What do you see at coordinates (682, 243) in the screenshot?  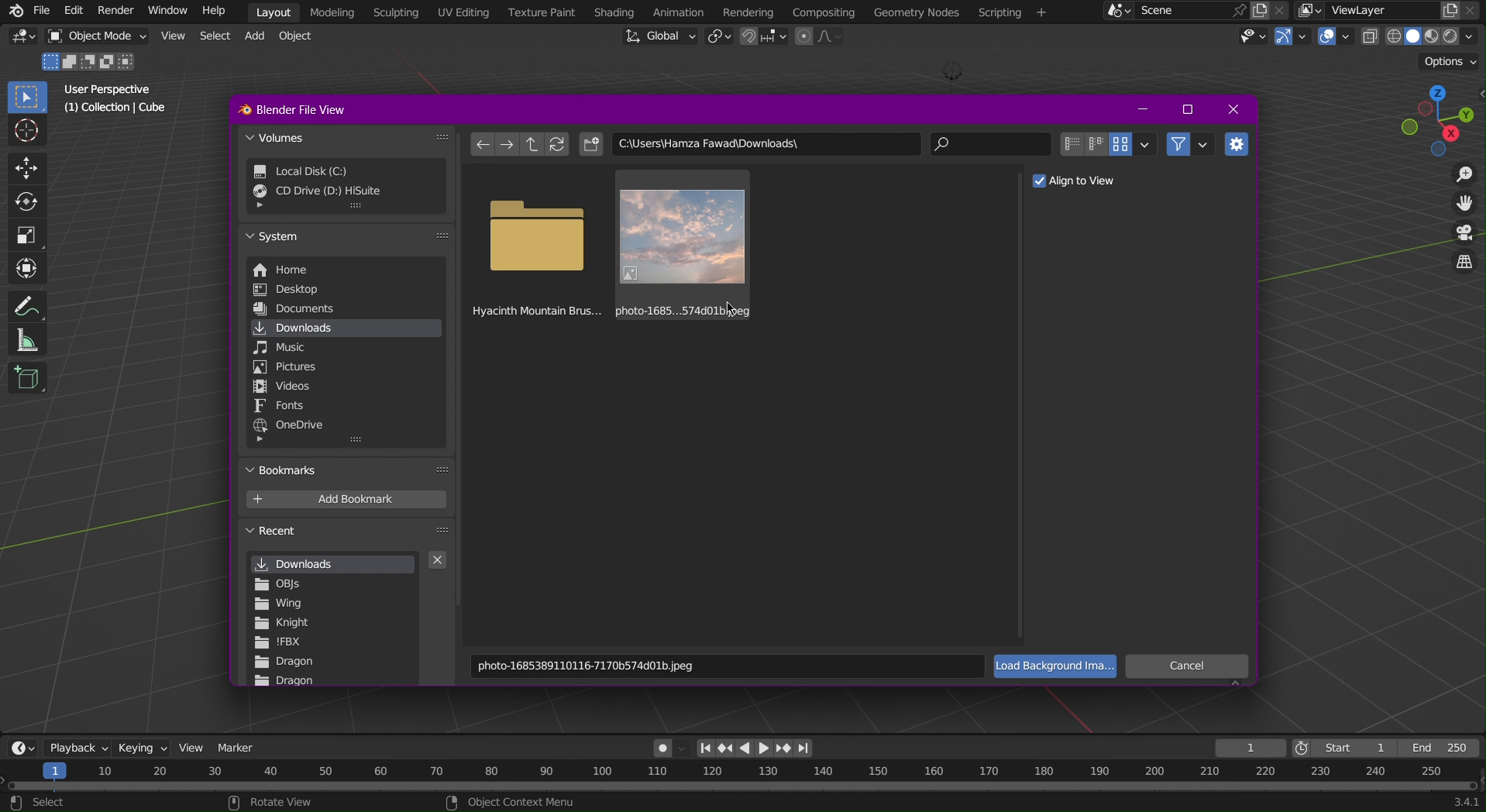 I see `photo-1685...574d01b.jpeg` at bounding box center [682, 243].